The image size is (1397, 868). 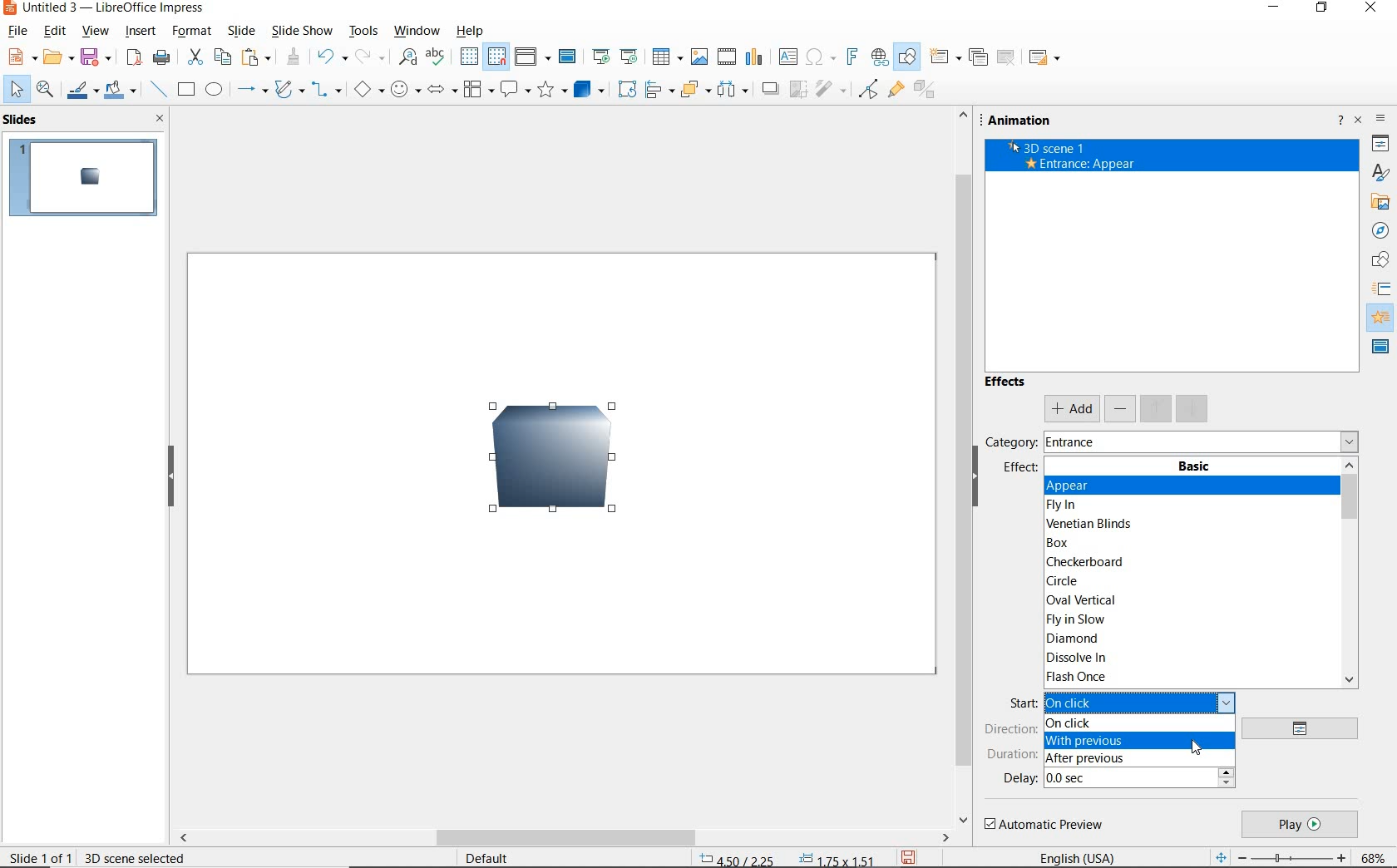 I want to click on toggle point edit mode, so click(x=869, y=87).